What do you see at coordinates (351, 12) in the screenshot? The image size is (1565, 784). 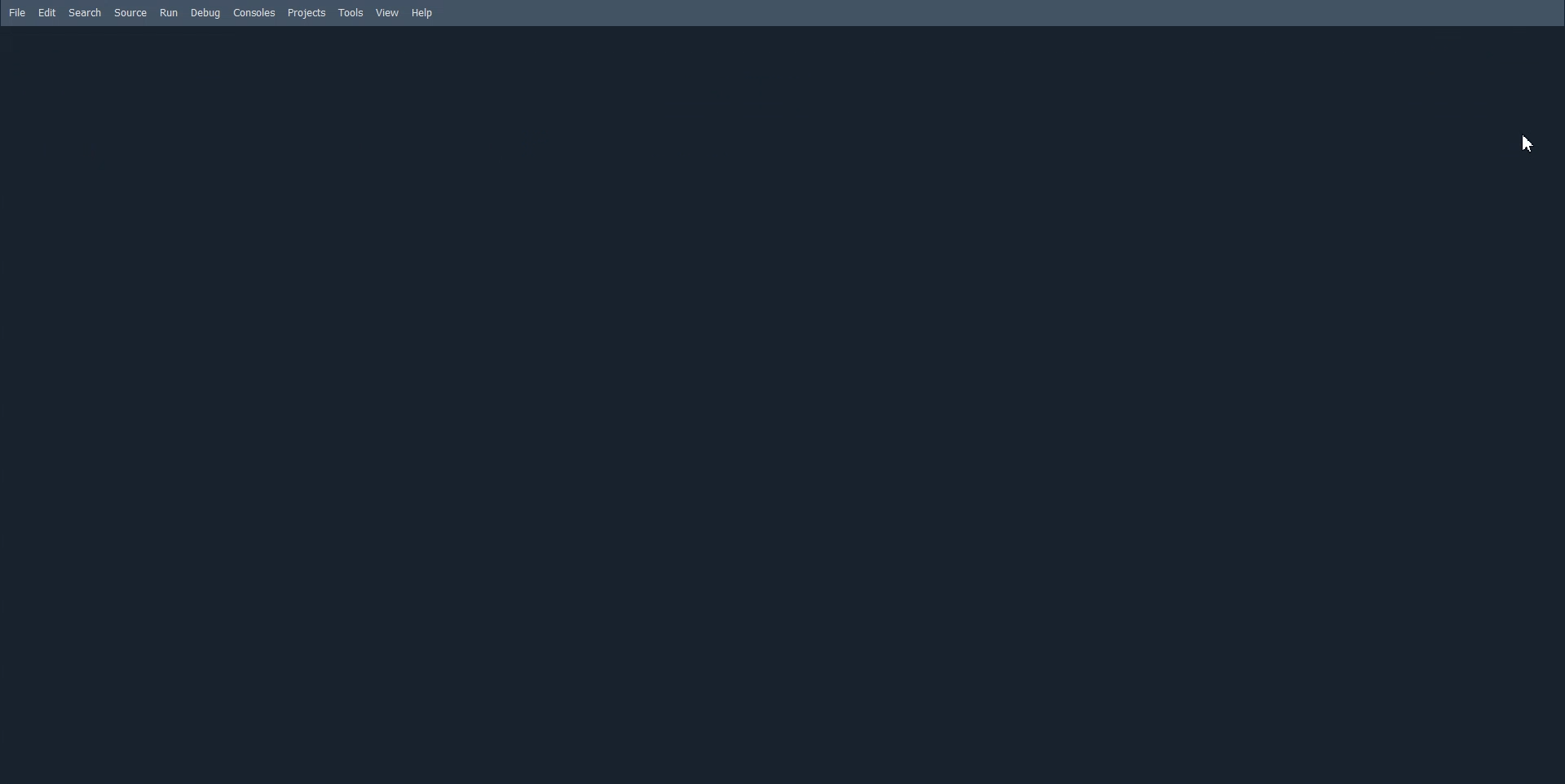 I see `Tools` at bounding box center [351, 12].